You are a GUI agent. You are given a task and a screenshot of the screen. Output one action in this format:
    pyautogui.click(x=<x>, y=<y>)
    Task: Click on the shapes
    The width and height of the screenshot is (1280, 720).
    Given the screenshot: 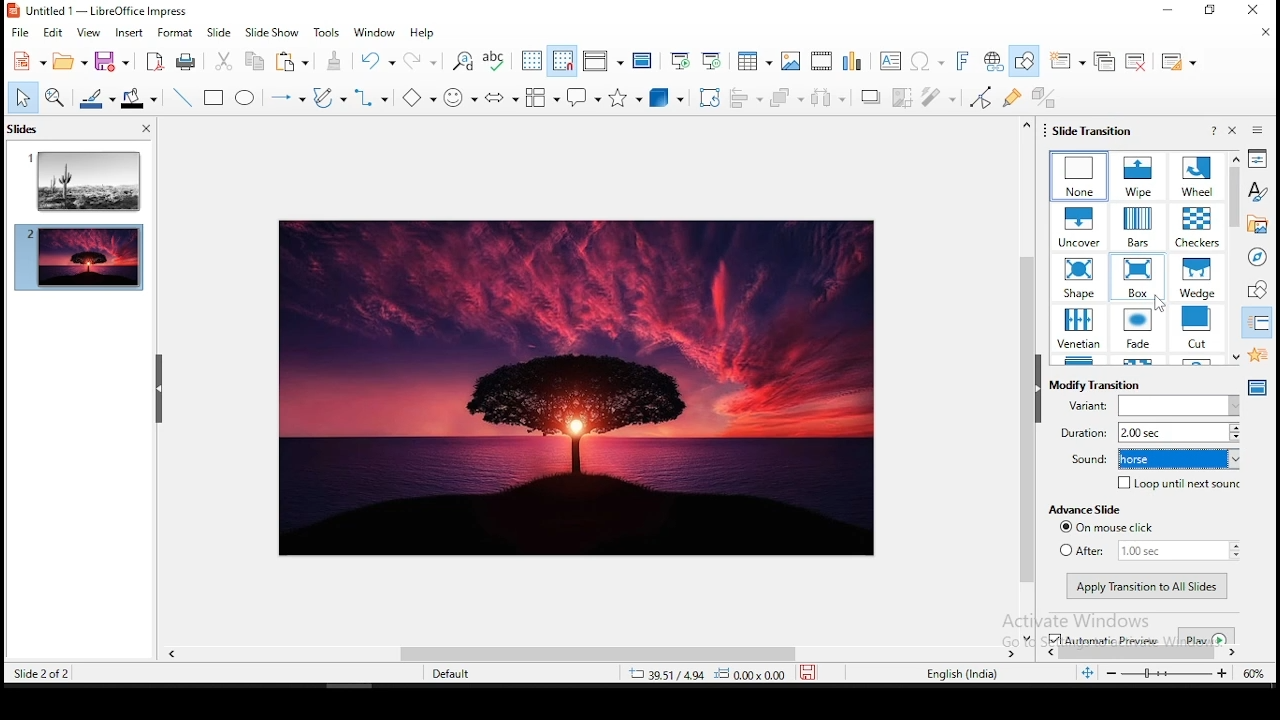 What is the action you would take?
    pyautogui.click(x=1259, y=290)
    